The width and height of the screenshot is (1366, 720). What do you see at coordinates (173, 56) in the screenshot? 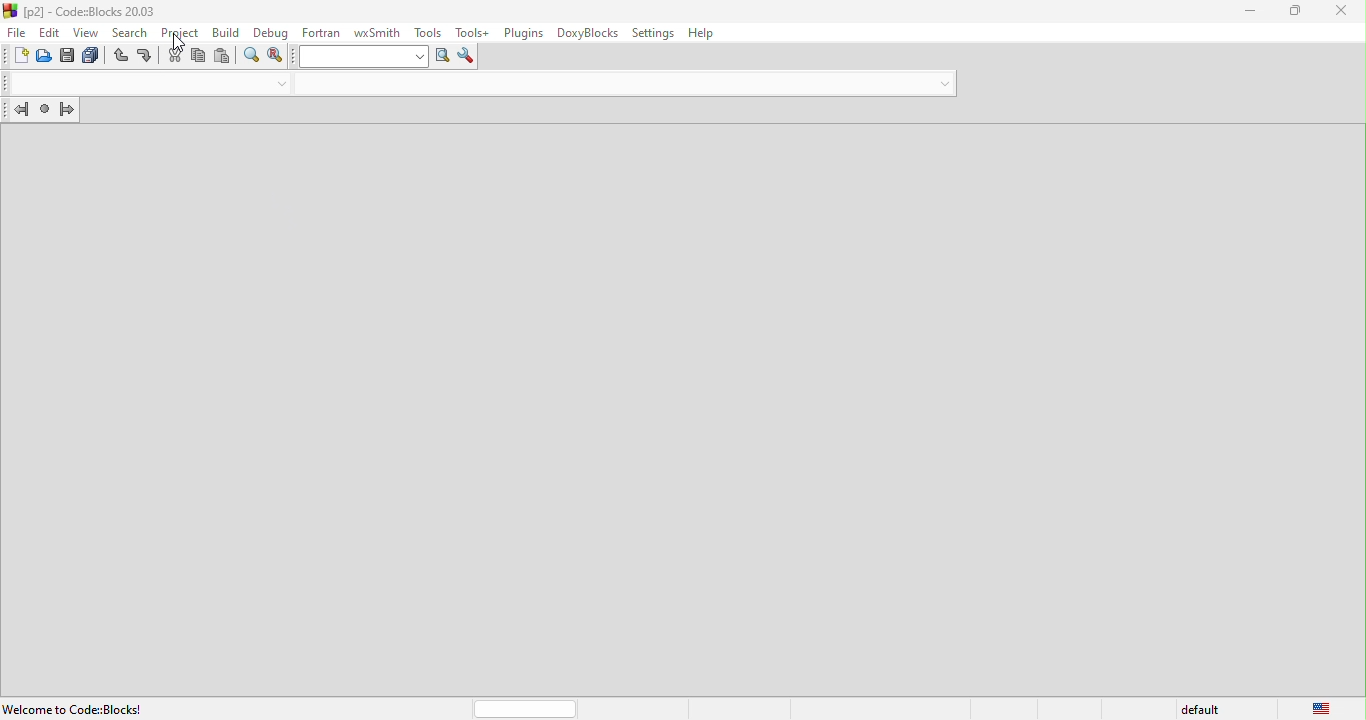
I see `cut` at bounding box center [173, 56].